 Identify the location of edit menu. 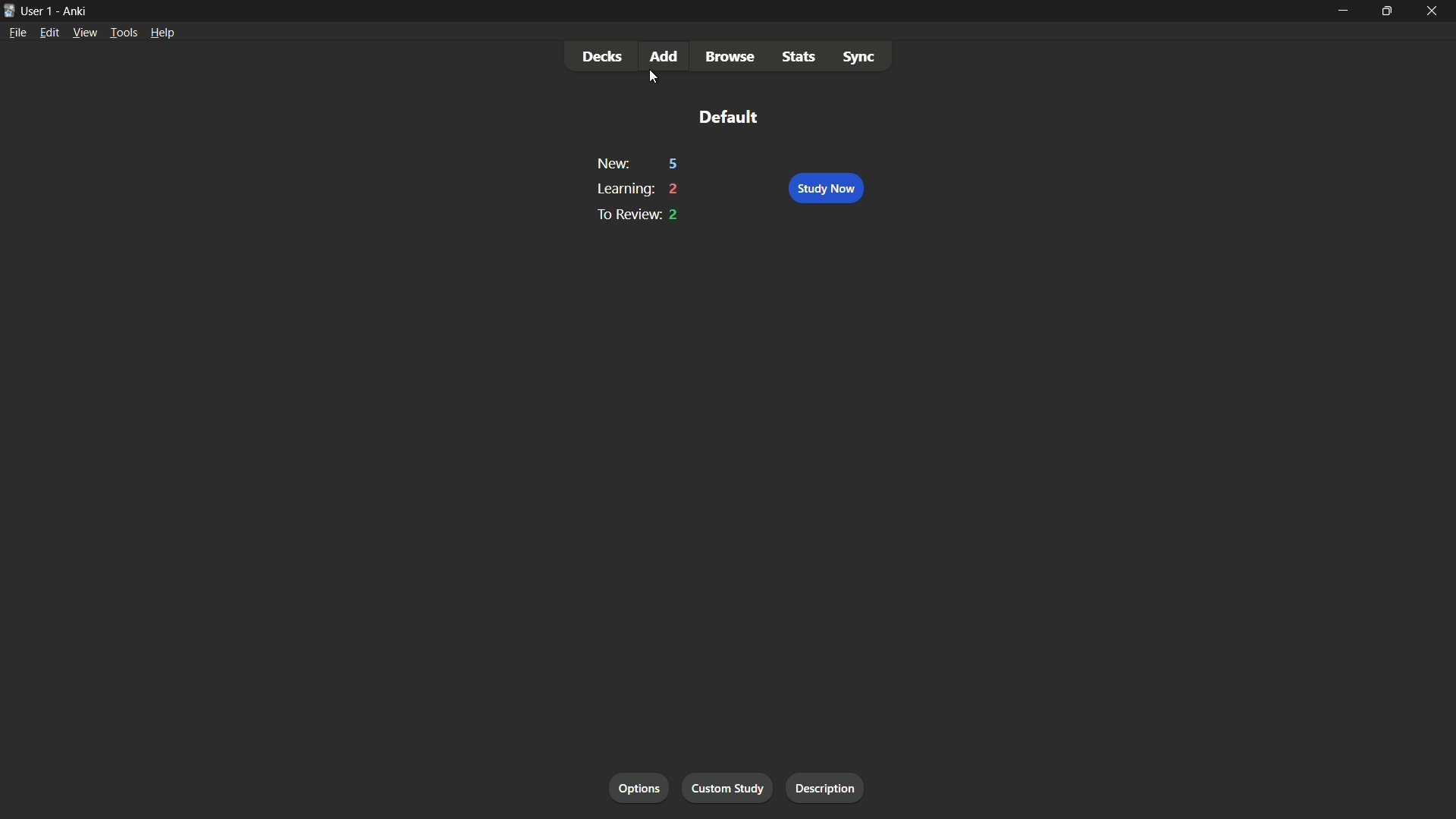
(49, 33).